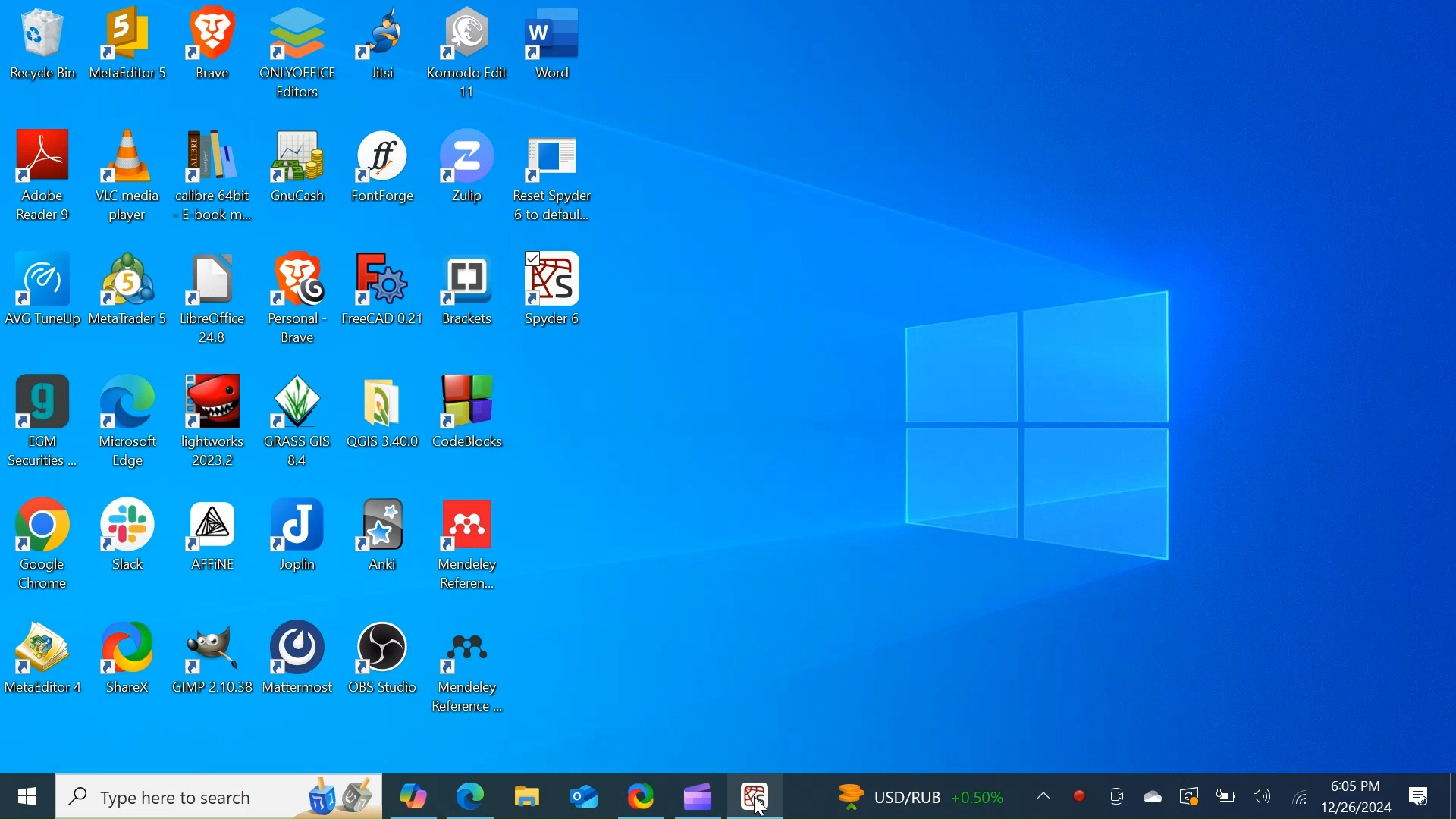 This screenshot has height=819, width=1456. What do you see at coordinates (1150, 794) in the screenshot?
I see `OneDrive` at bounding box center [1150, 794].